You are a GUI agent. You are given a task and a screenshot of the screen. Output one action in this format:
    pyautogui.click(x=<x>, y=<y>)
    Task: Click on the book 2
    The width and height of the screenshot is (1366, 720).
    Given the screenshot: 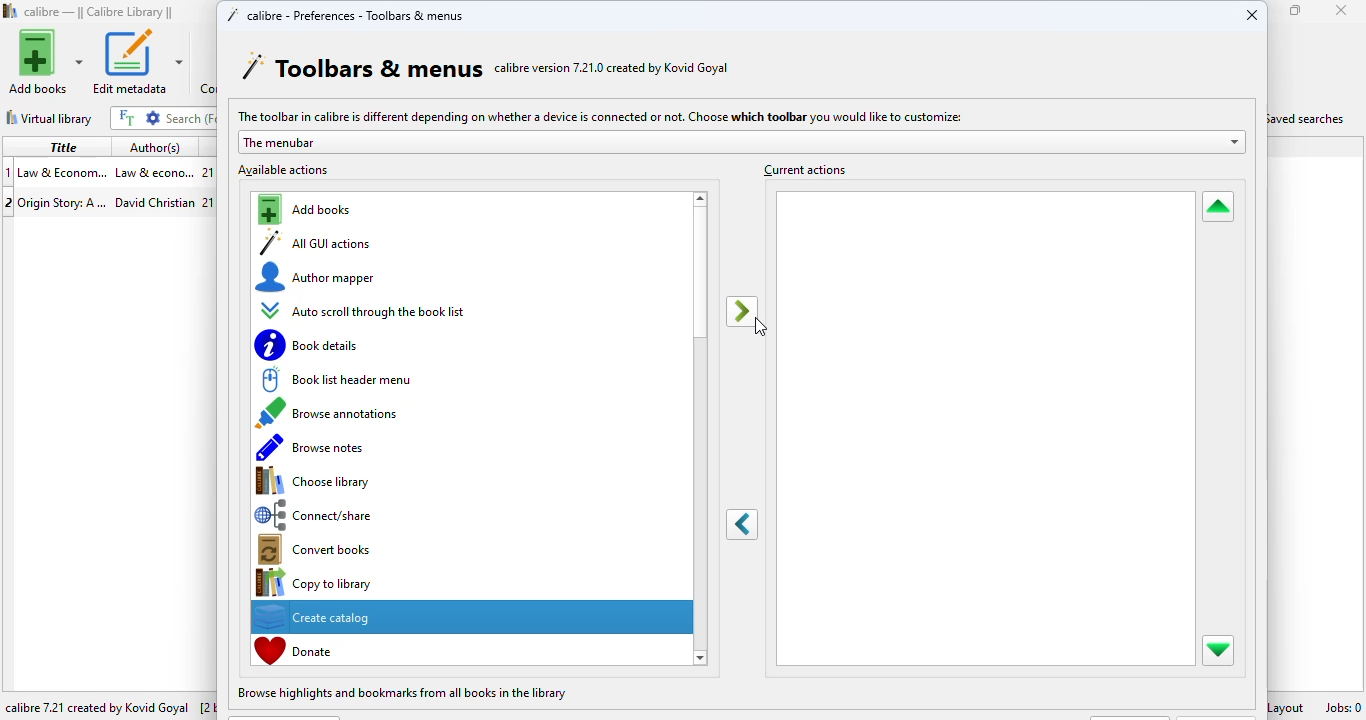 What is the action you would take?
    pyautogui.click(x=107, y=200)
    